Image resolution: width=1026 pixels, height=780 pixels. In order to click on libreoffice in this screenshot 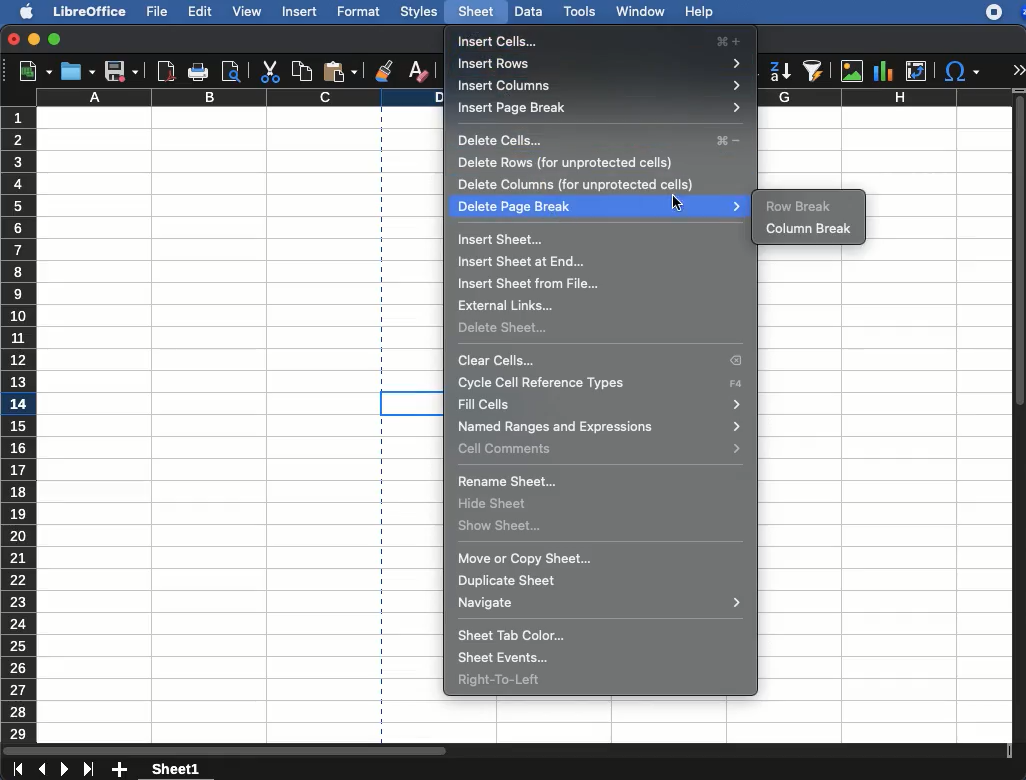, I will do `click(90, 10)`.